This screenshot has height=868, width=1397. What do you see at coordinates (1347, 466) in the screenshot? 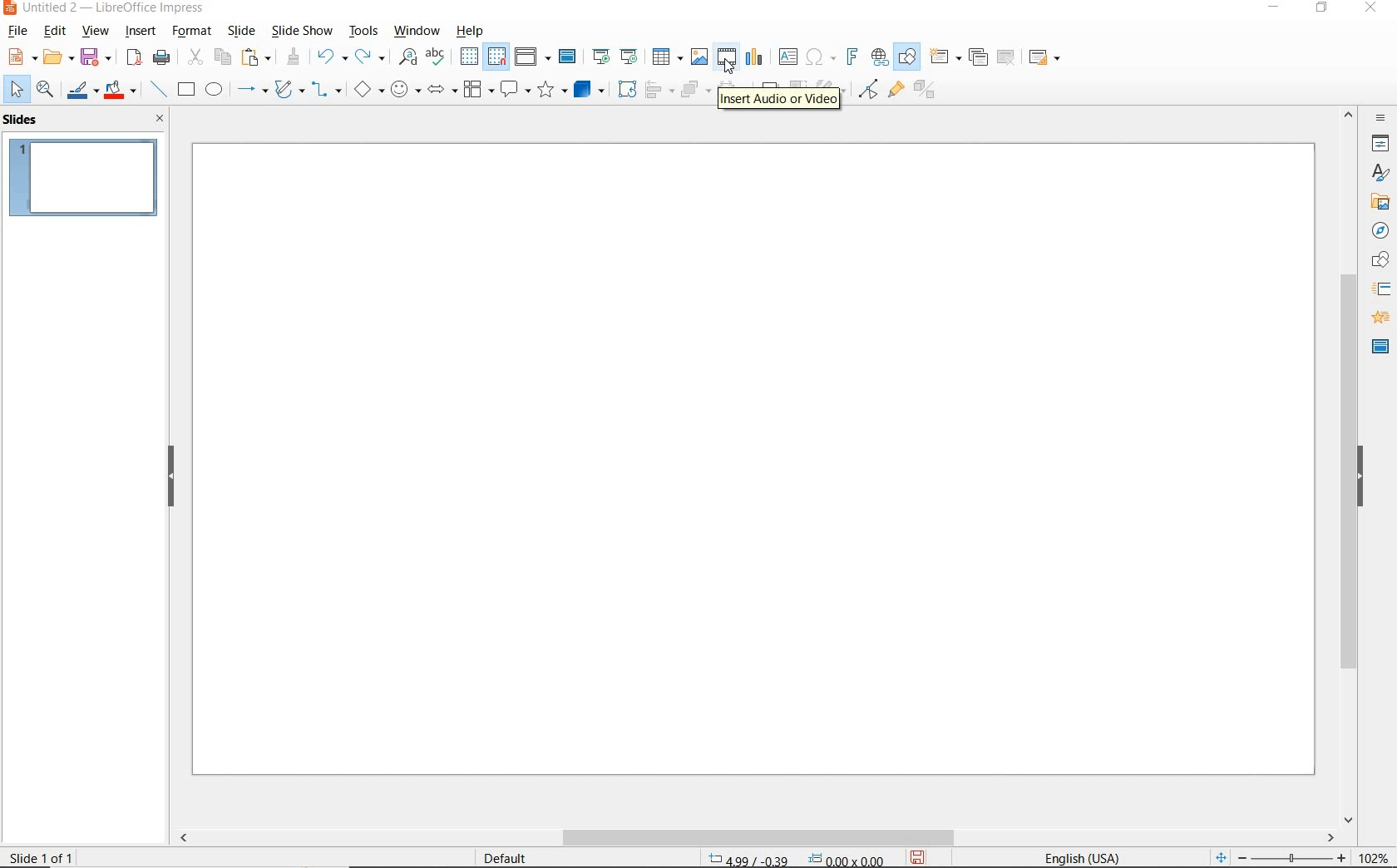
I see `SCROLLBAR` at bounding box center [1347, 466].